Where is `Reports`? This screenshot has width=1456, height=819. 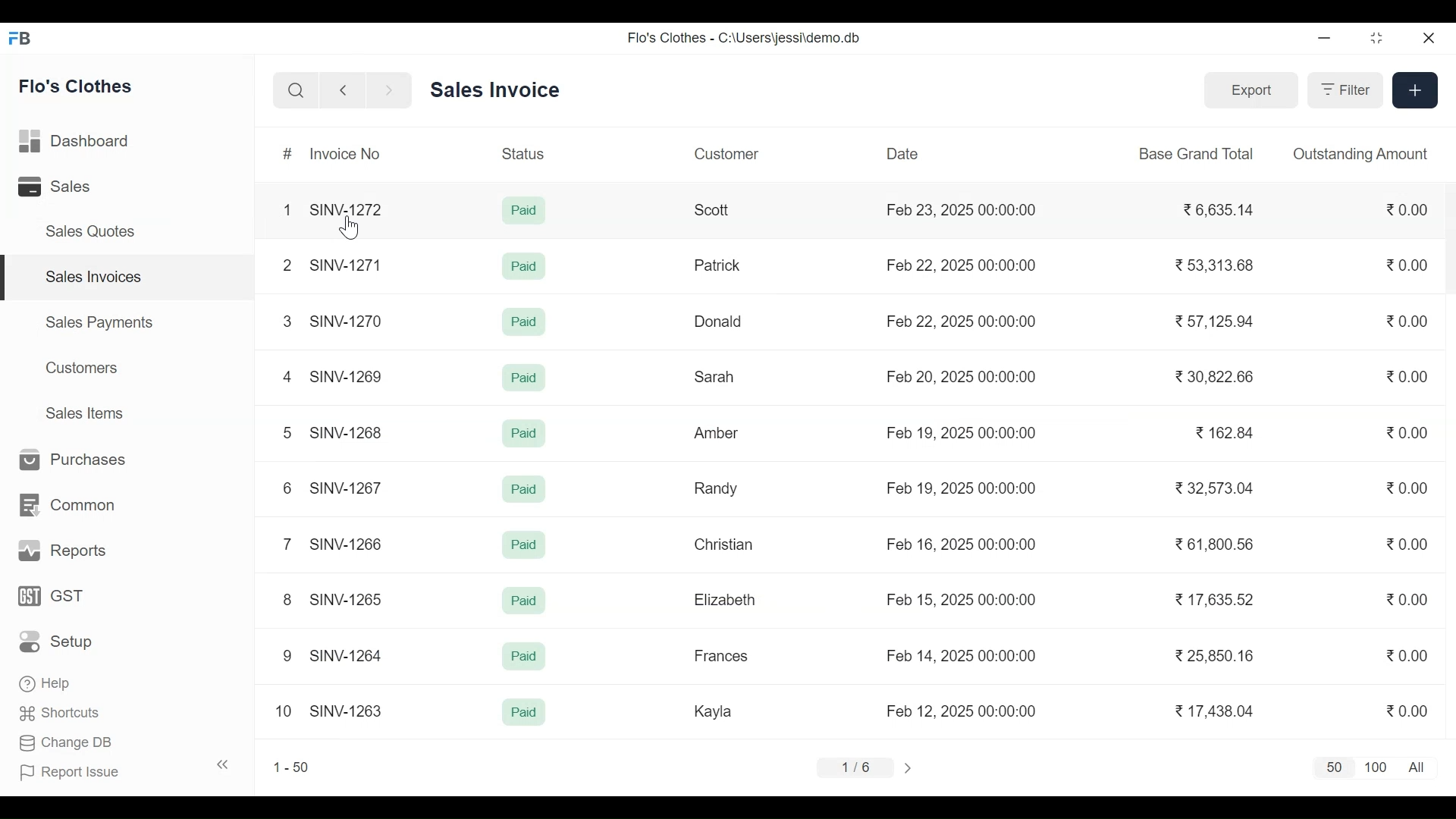 Reports is located at coordinates (64, 549).